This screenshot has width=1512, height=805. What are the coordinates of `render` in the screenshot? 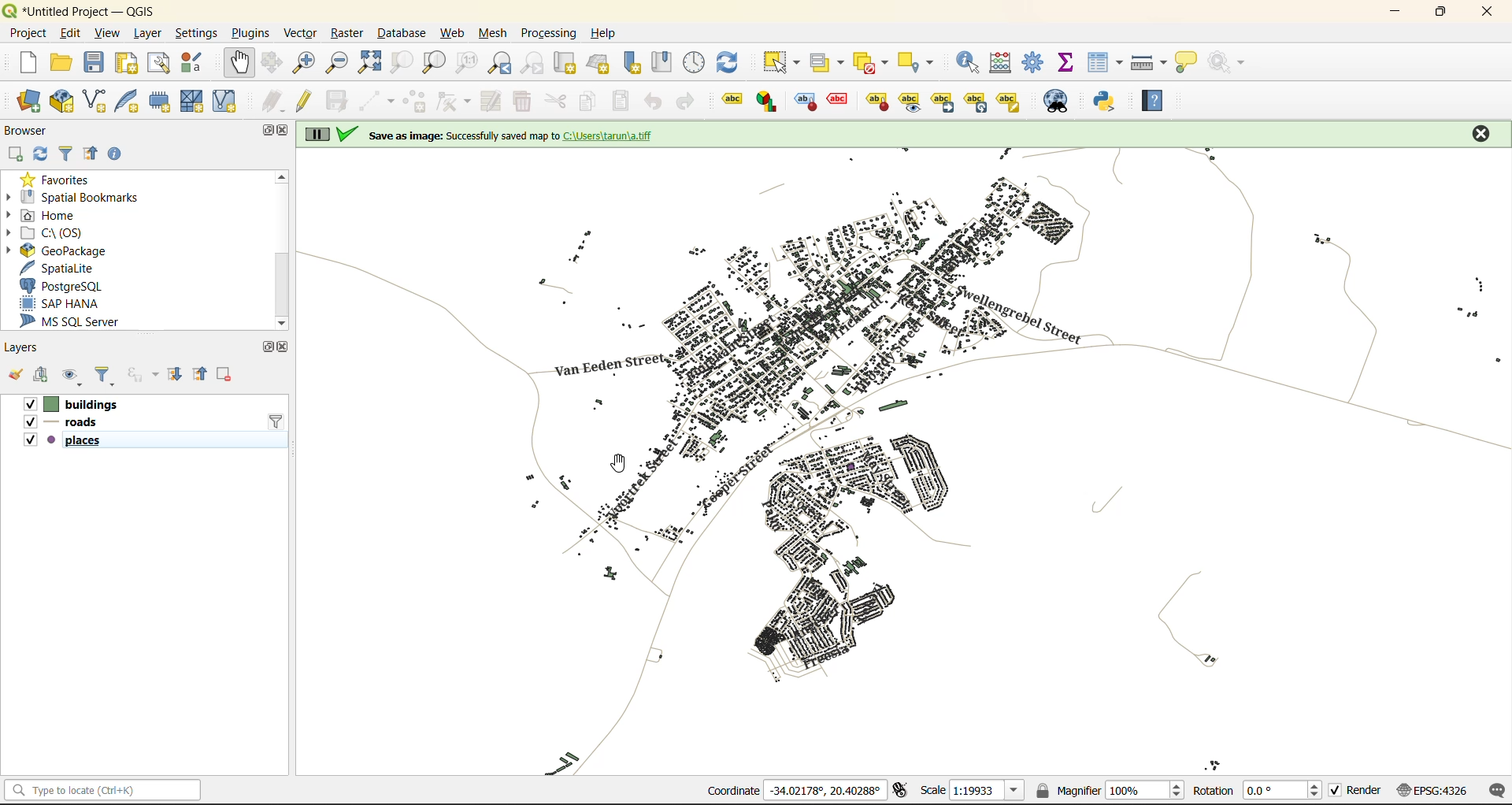 It's located at (1352, 793).